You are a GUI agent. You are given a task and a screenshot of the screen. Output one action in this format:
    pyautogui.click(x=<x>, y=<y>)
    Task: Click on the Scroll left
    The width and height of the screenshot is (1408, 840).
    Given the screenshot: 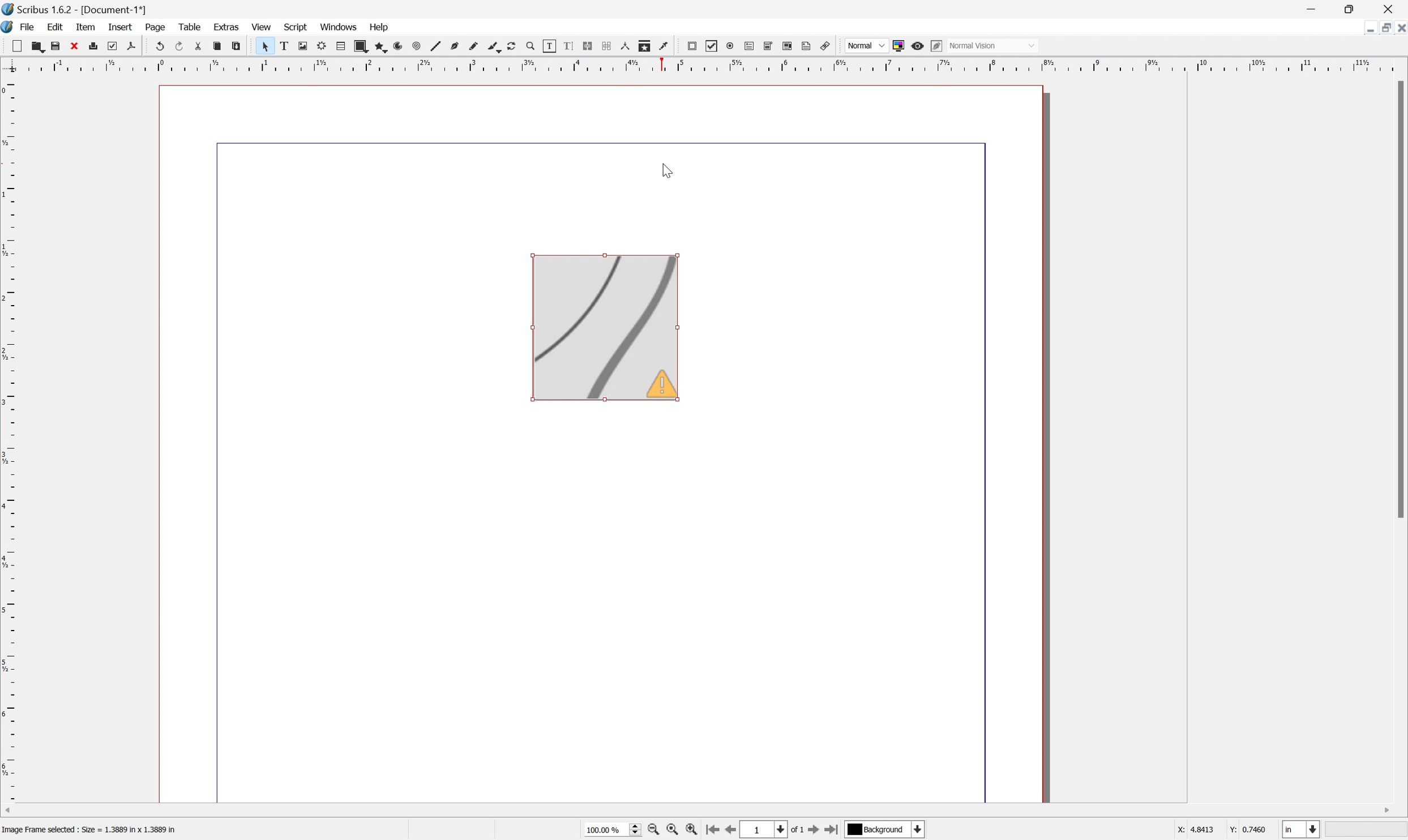 What is the action you would take?
    pyautogui.click(x=10, y=809)
    